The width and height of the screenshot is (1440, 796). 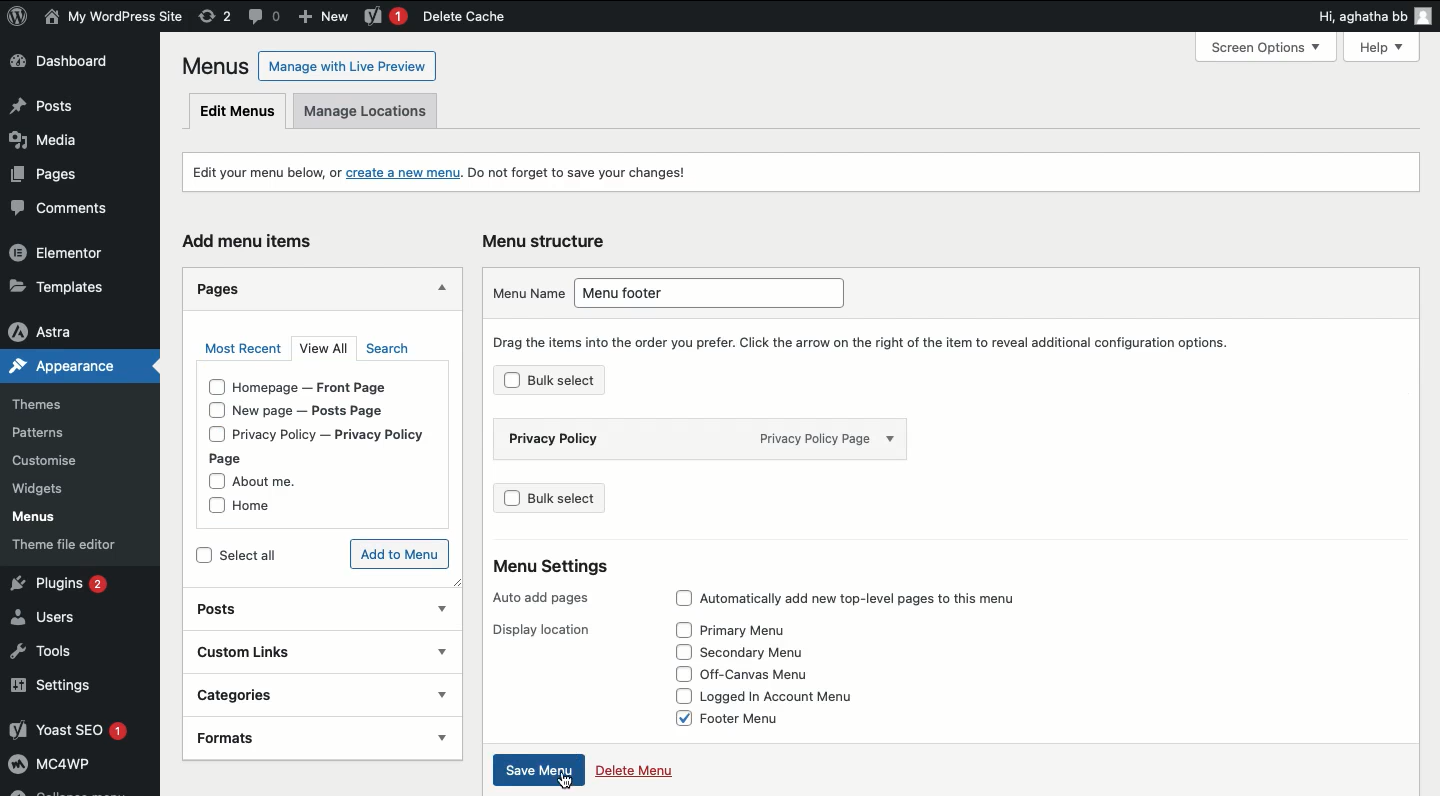 I want to click on User, so click(x=114, y=18).